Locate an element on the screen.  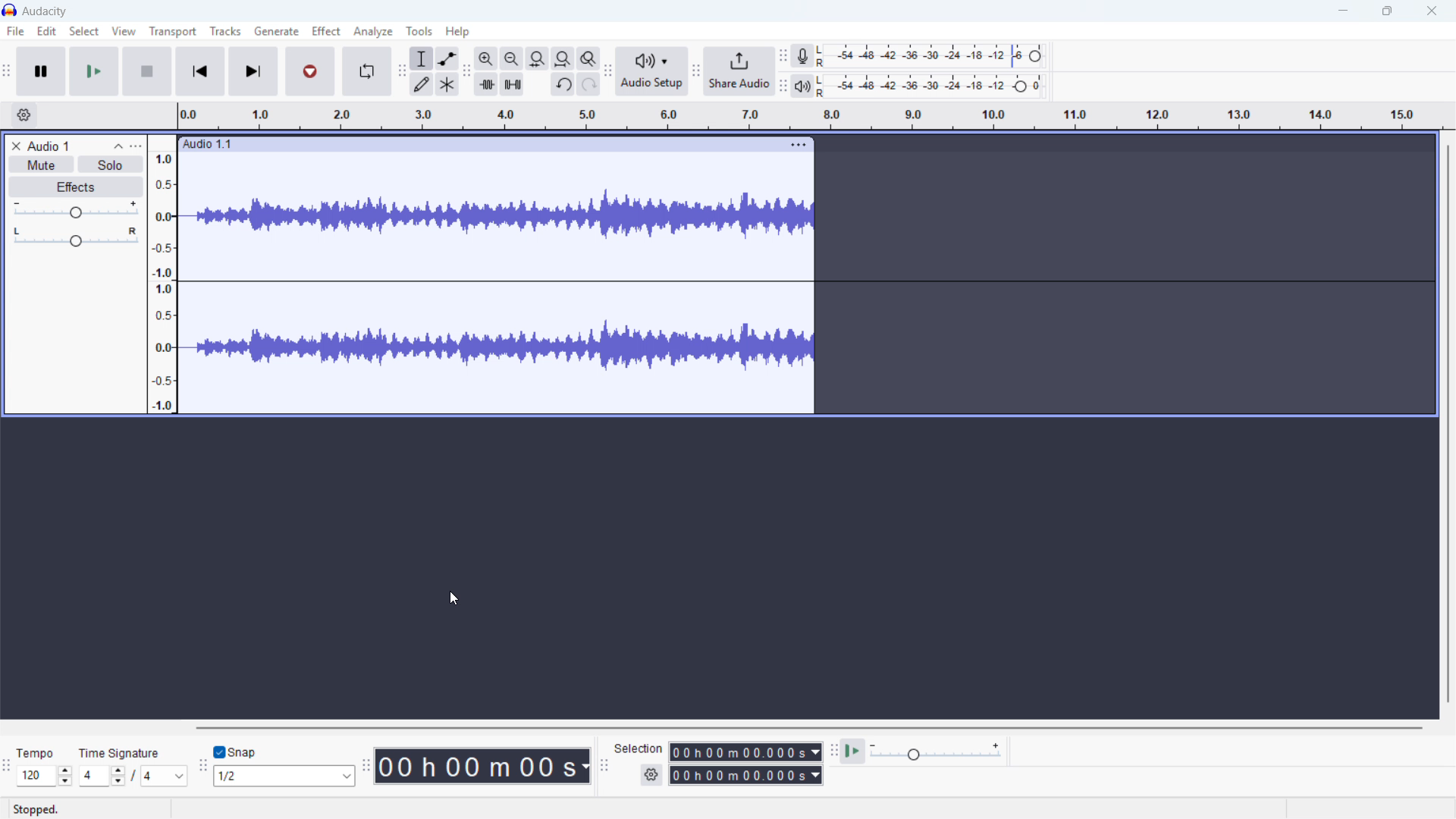
Select  is located at coordinates (84, 32).